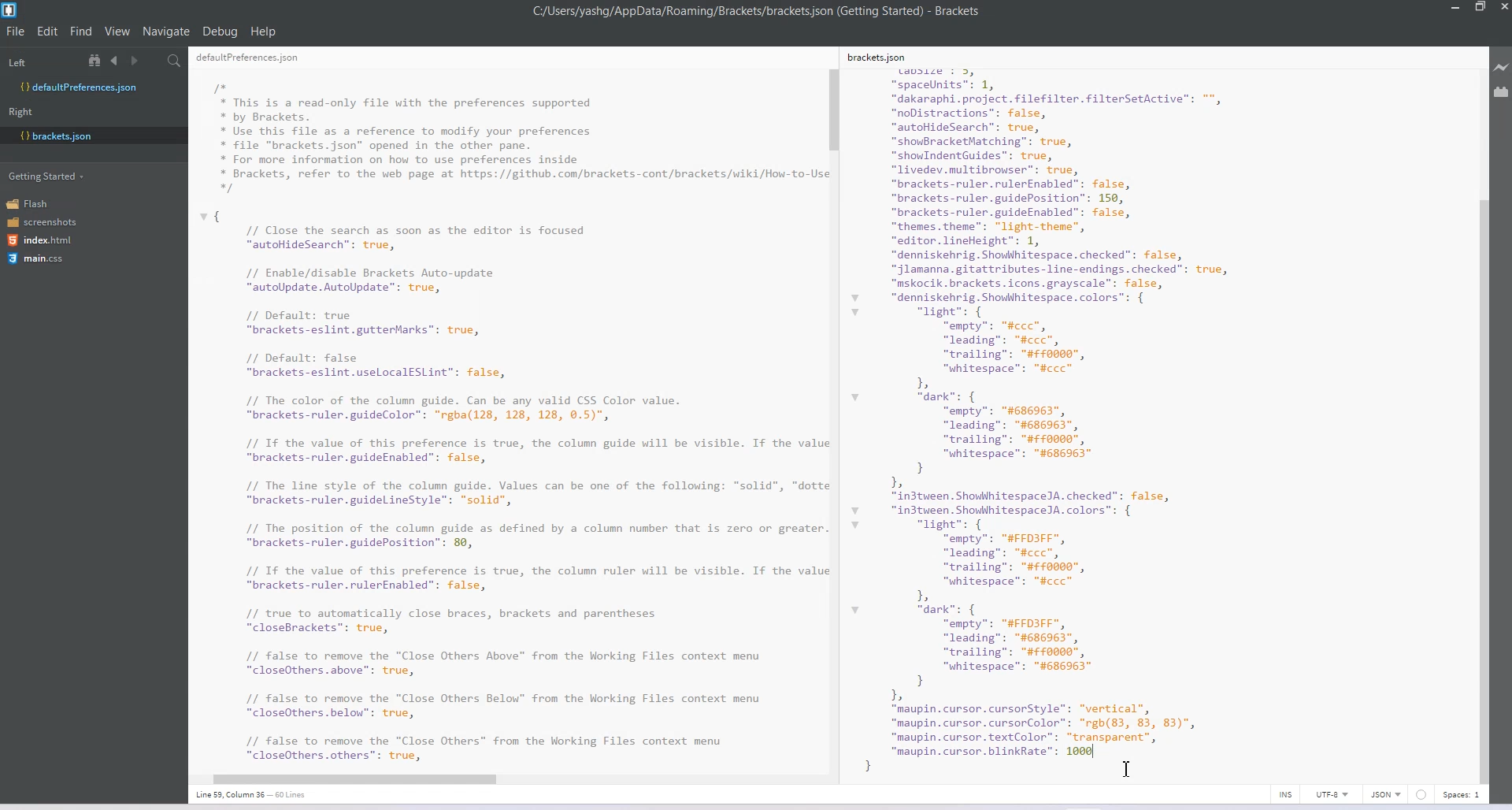  Describe the element at coordinates (48, 175) in the screenshot. I see `Getting Started` at that location.